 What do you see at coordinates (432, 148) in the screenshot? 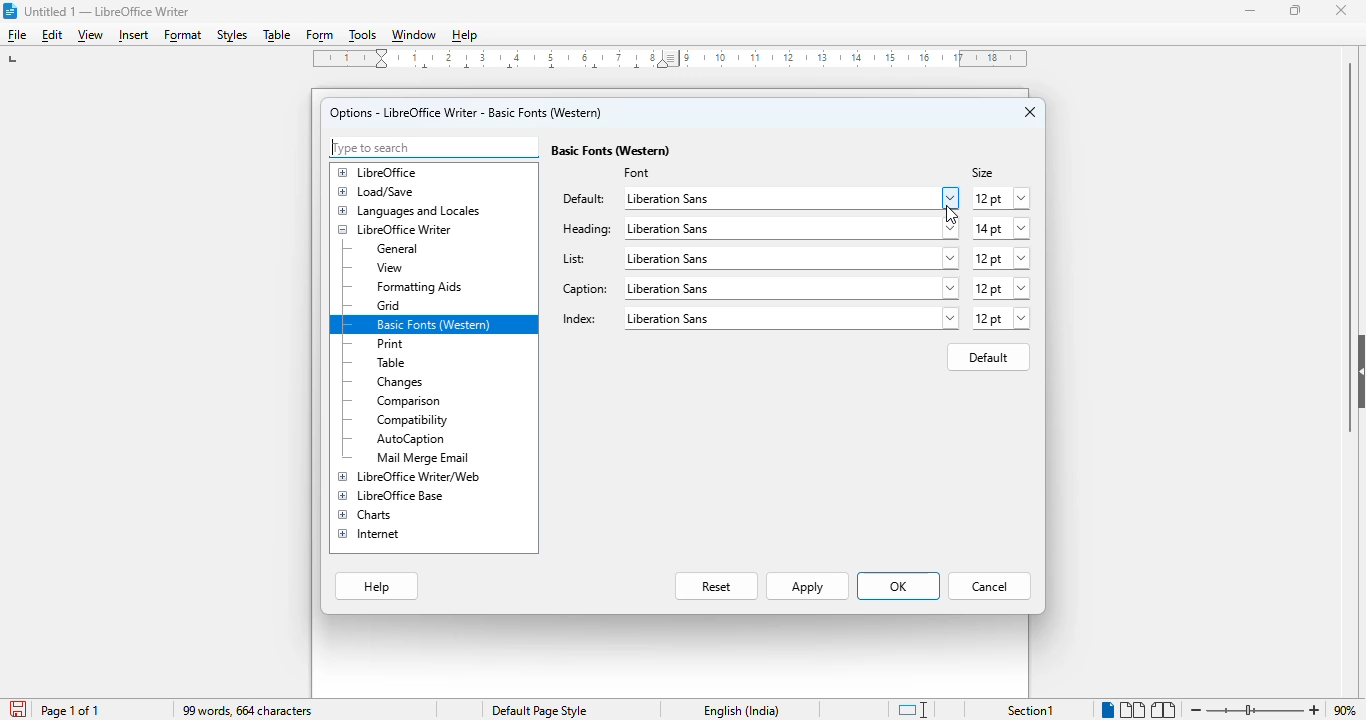
I see `type to search` at bounding box center [432, 148].